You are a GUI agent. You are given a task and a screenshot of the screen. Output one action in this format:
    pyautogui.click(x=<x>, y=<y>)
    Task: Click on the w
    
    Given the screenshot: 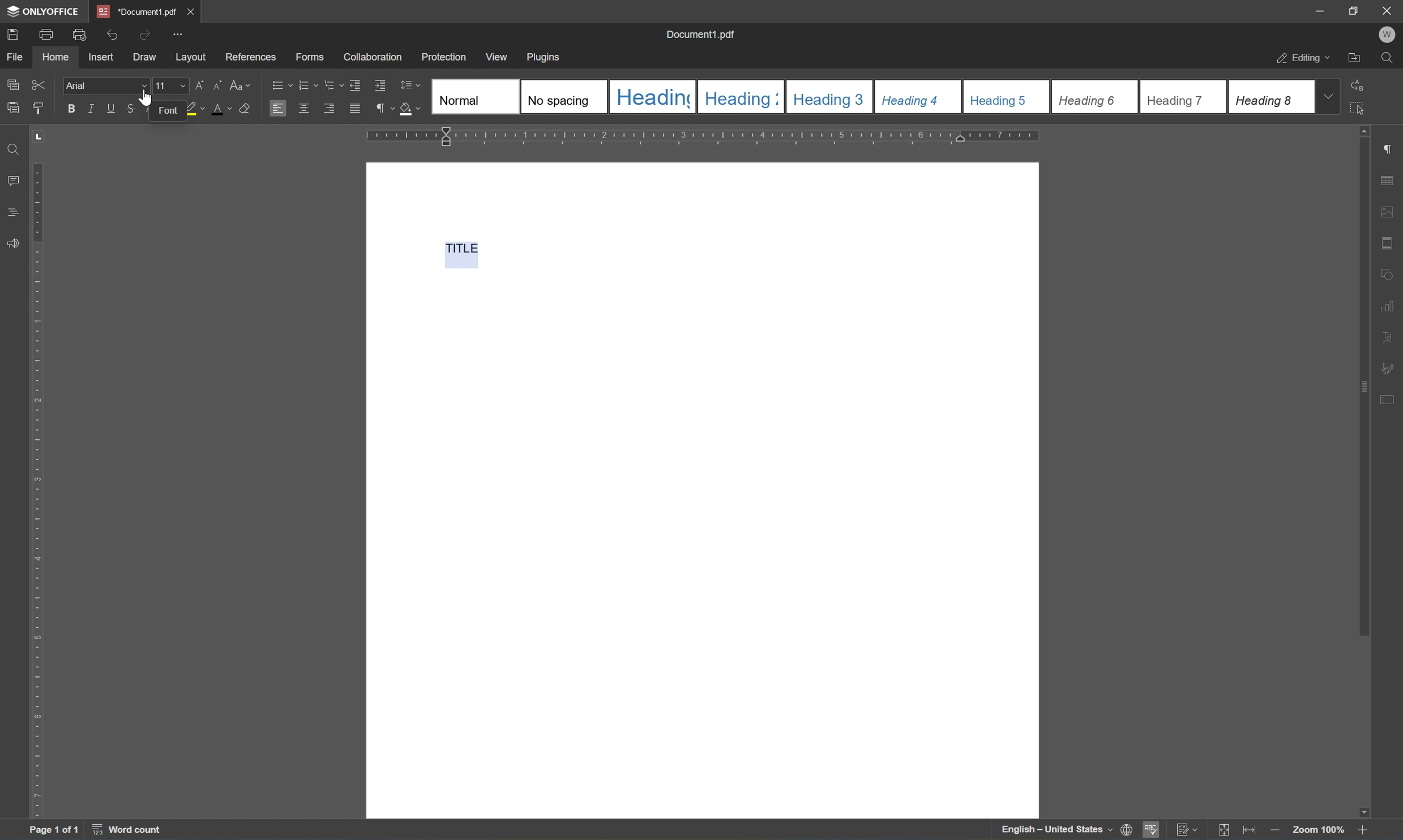 What is the action you would take?
    pyautogui.click(x=1388, y=33)
    